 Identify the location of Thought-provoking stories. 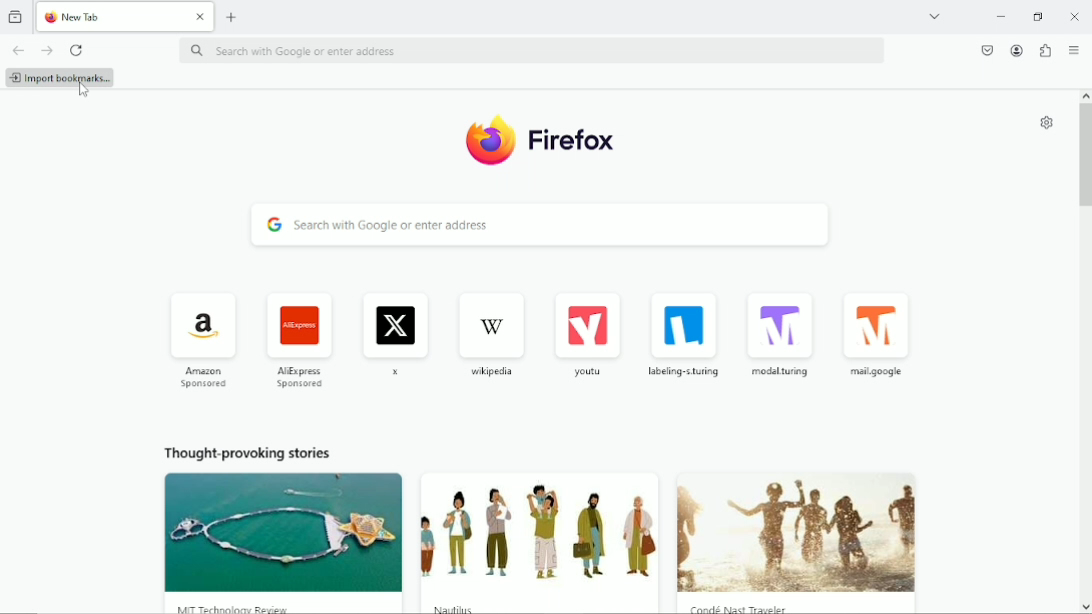
(251, 452).